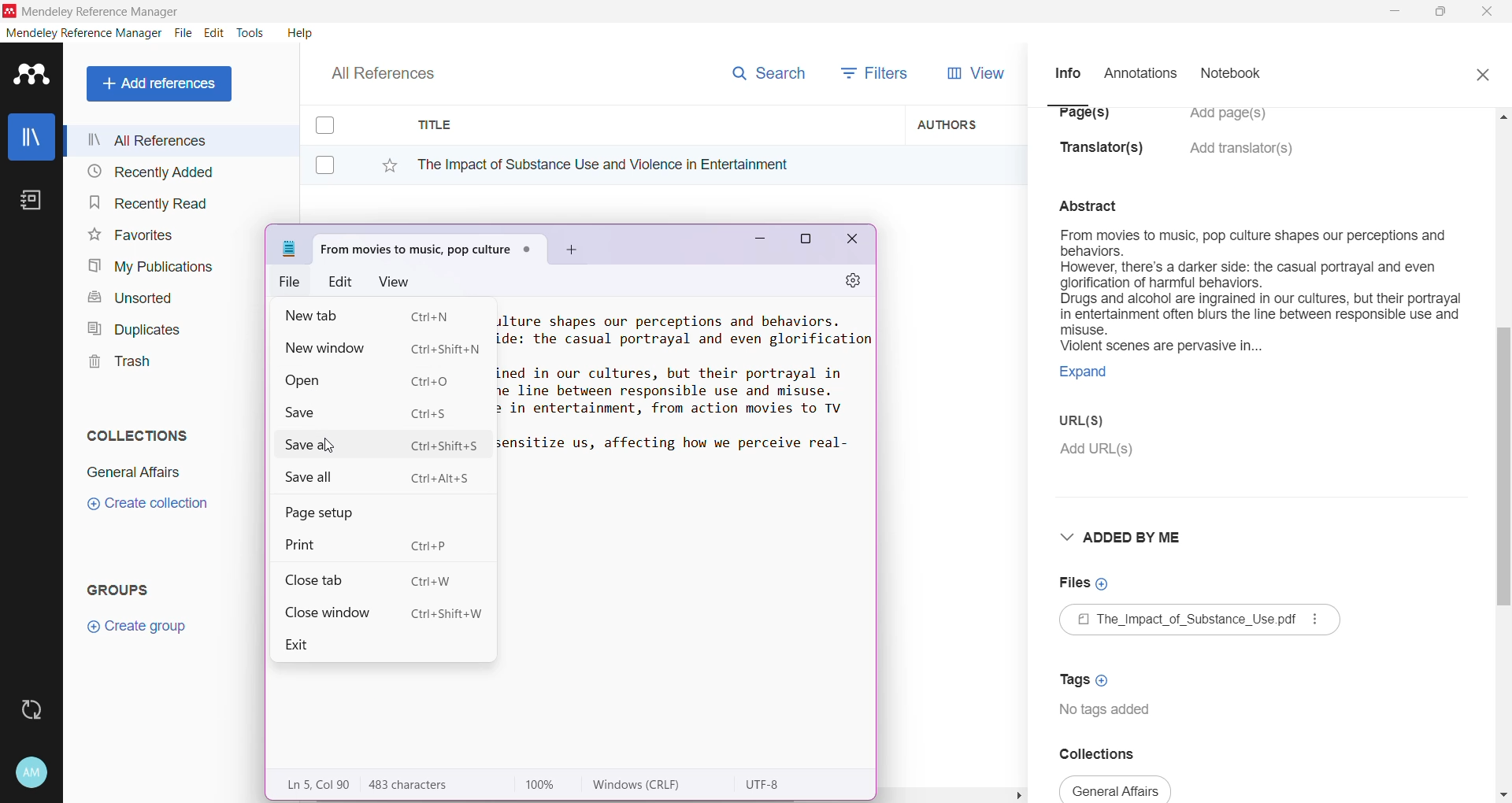 Image resolution: width=1512 pixels, height=803 pixels. What do you see at coordinates (333, 144) in the screenshot?
I see `Click to select item(s)` at bounding box center [333, 144].